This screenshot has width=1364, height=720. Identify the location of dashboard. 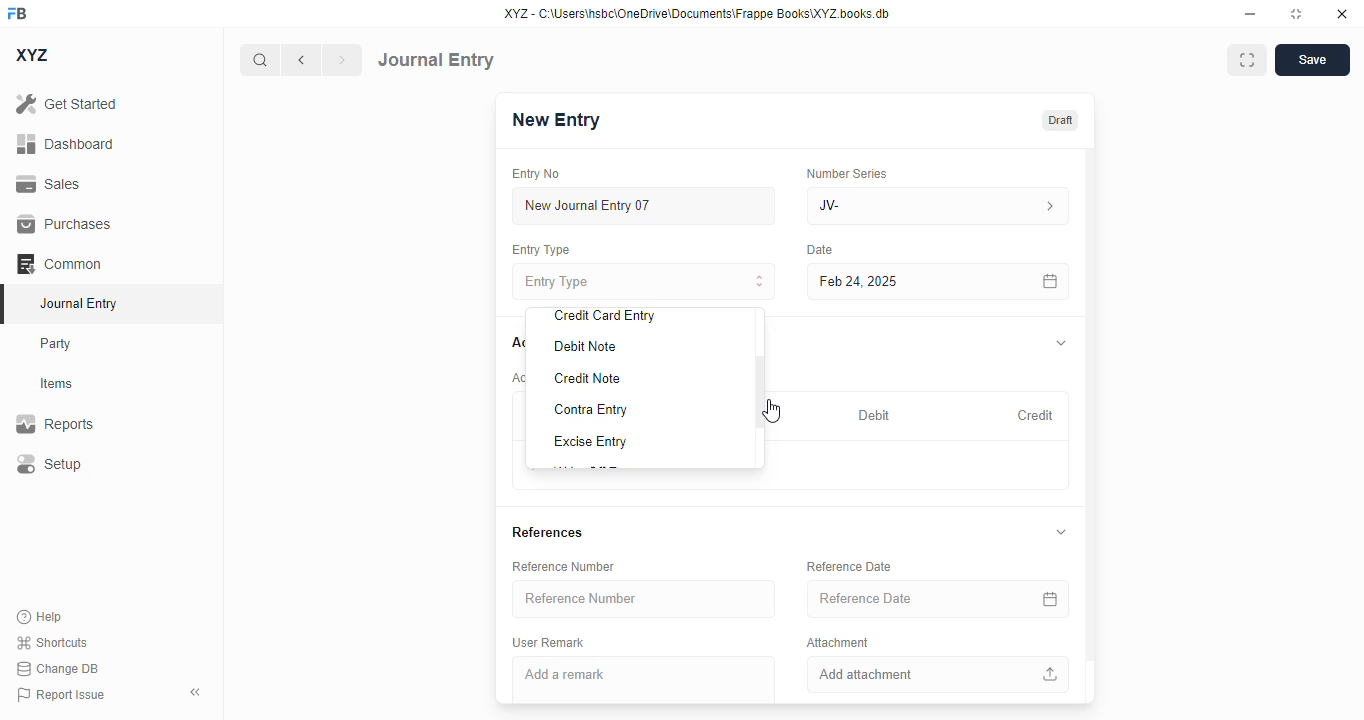
(65, 143).